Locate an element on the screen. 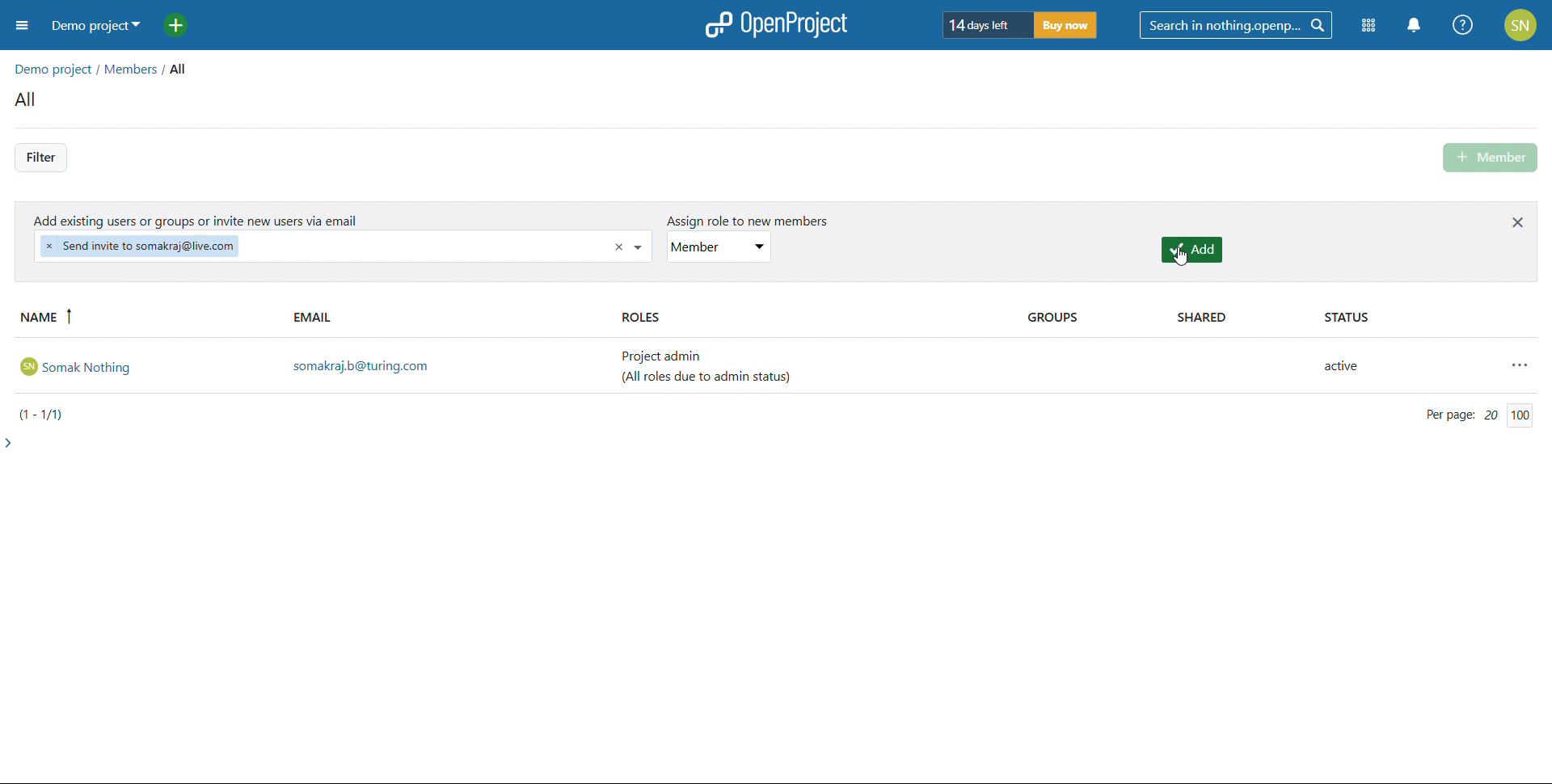 This screenshot has width=1552, height=784. sort by name is located at coordinates (149, 318).